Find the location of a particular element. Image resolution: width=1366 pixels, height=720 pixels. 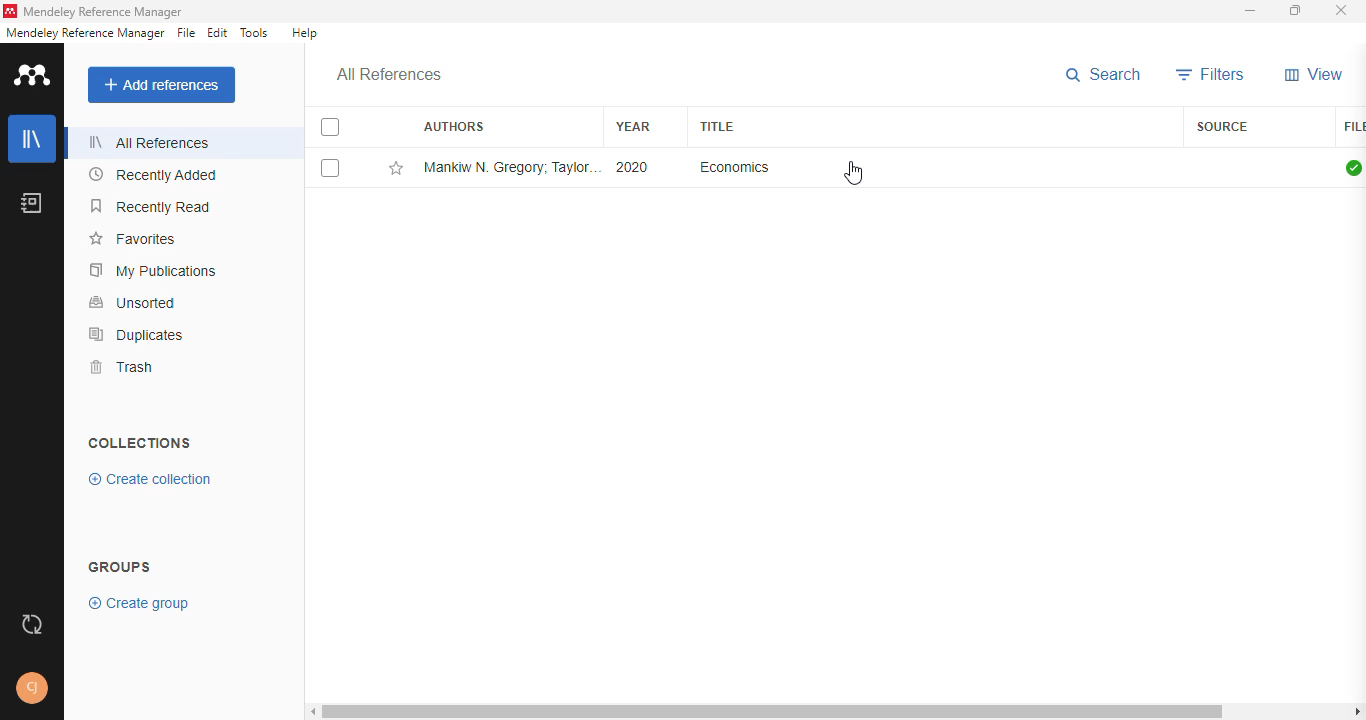

sync is located at coordinates (32, 626).